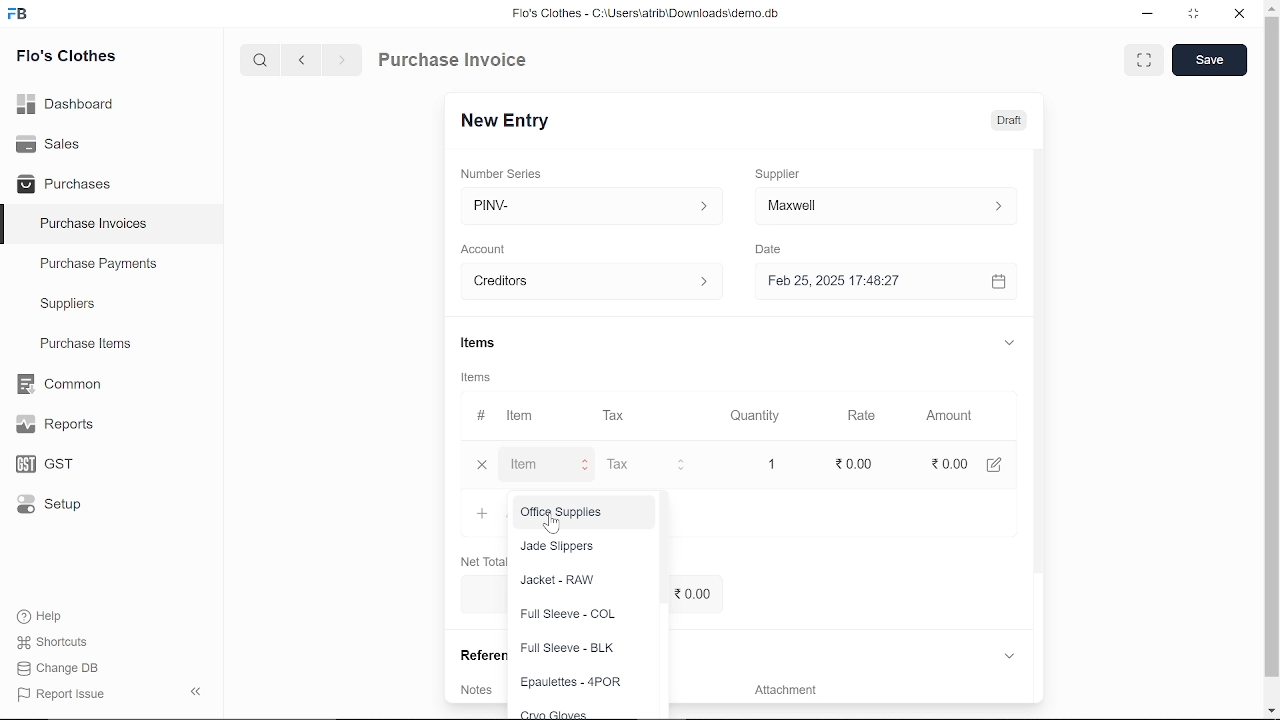  What do you see at coordinates (581, 649) in the screenshot?
I see `Full Sleeve - BLK` at bounding box center [581, 649].